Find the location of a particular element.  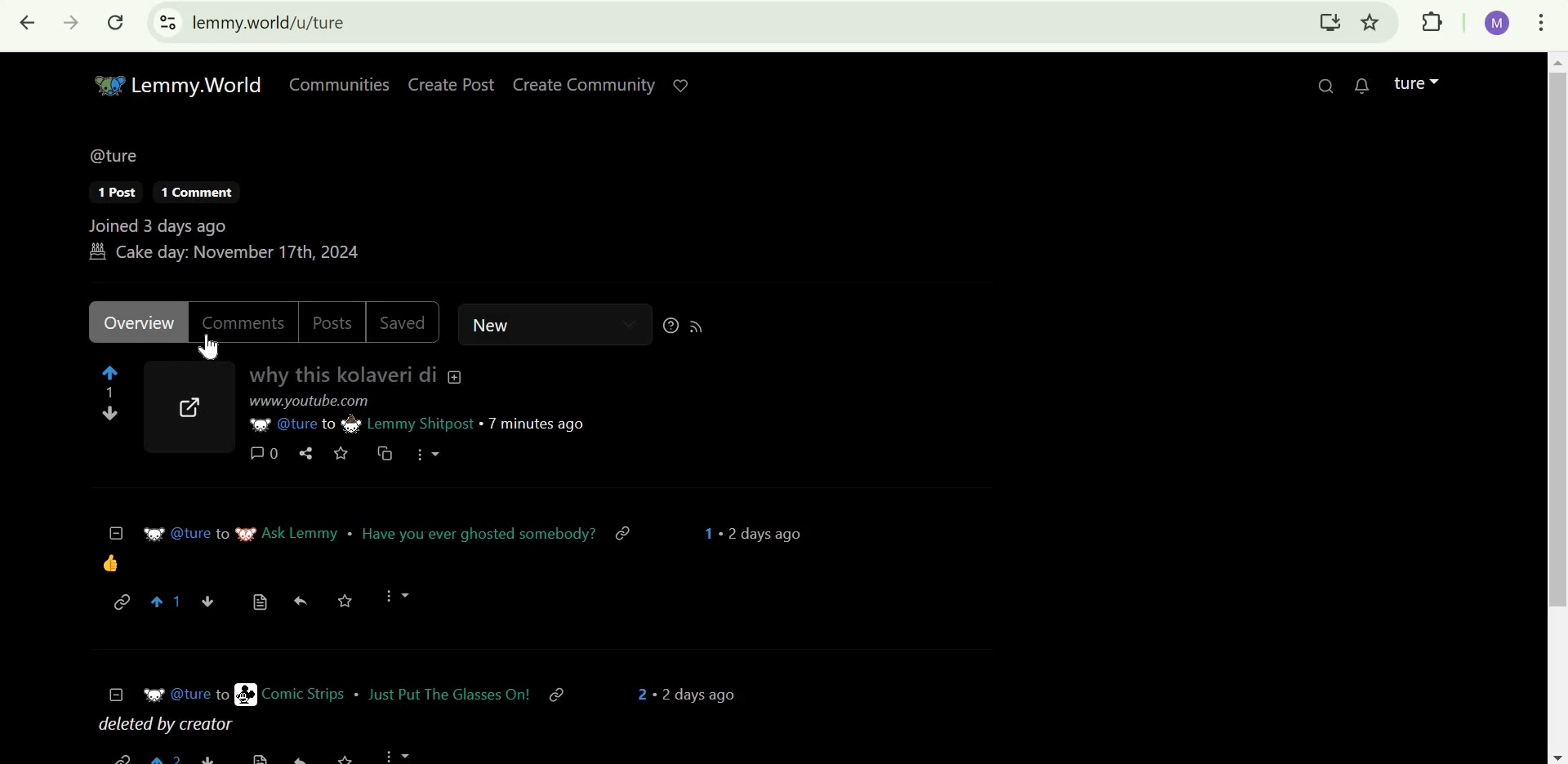

cake day: November 17th, 2024 is located at coordinates (237, 254).